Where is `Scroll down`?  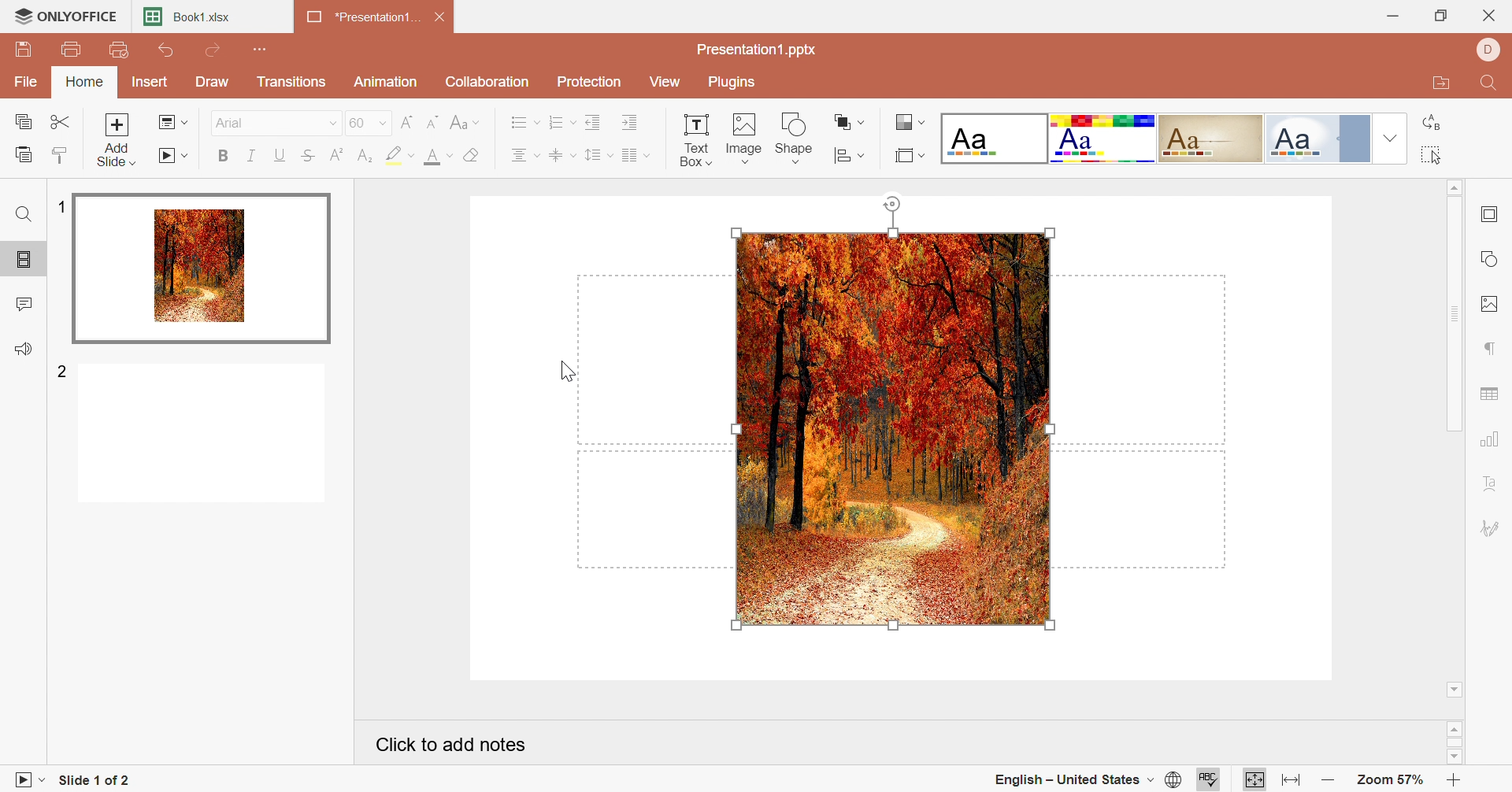 Scroll down is located at coordinates (1455, 690).